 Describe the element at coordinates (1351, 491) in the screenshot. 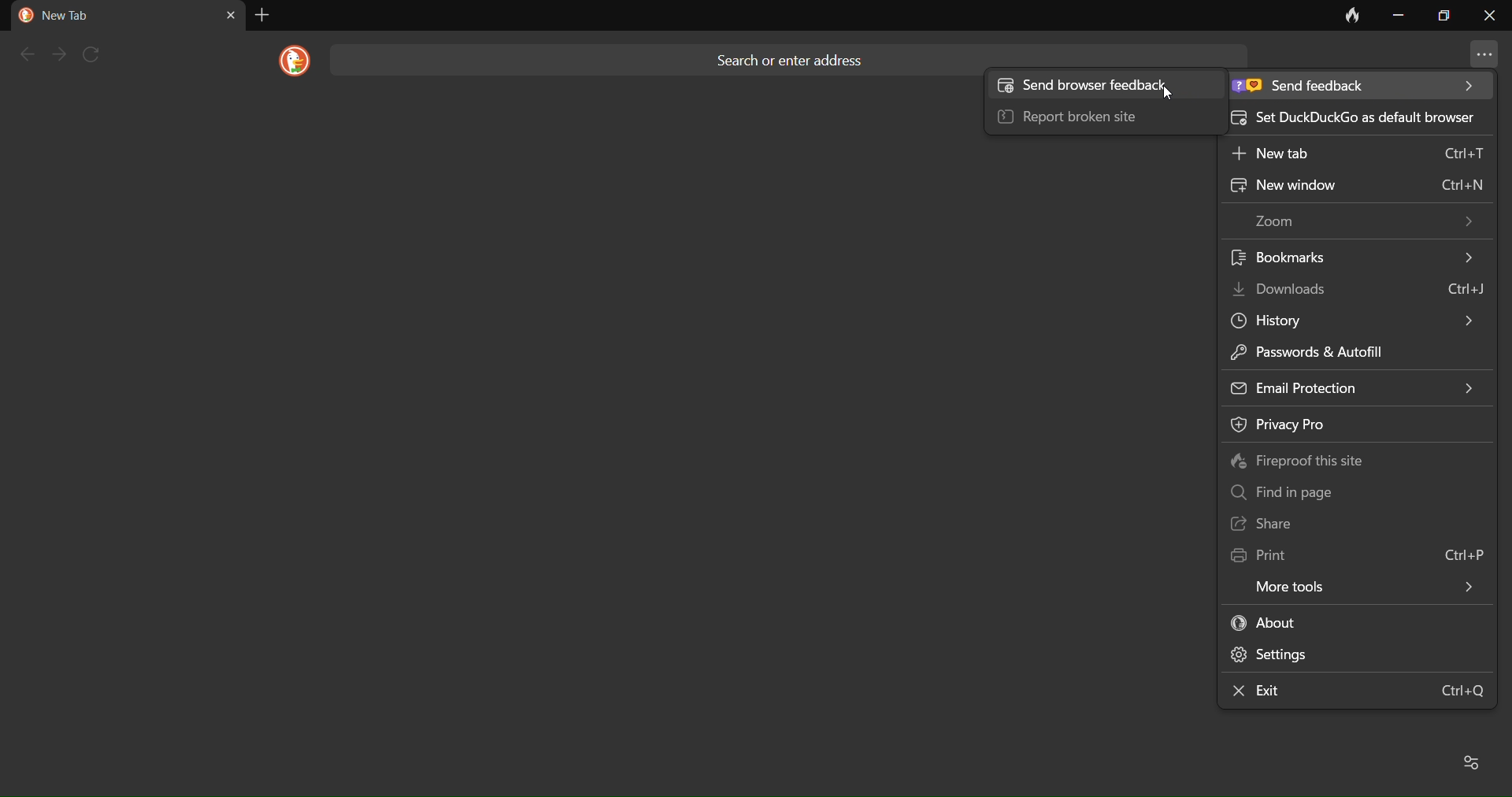

I see `find in page` at that location.